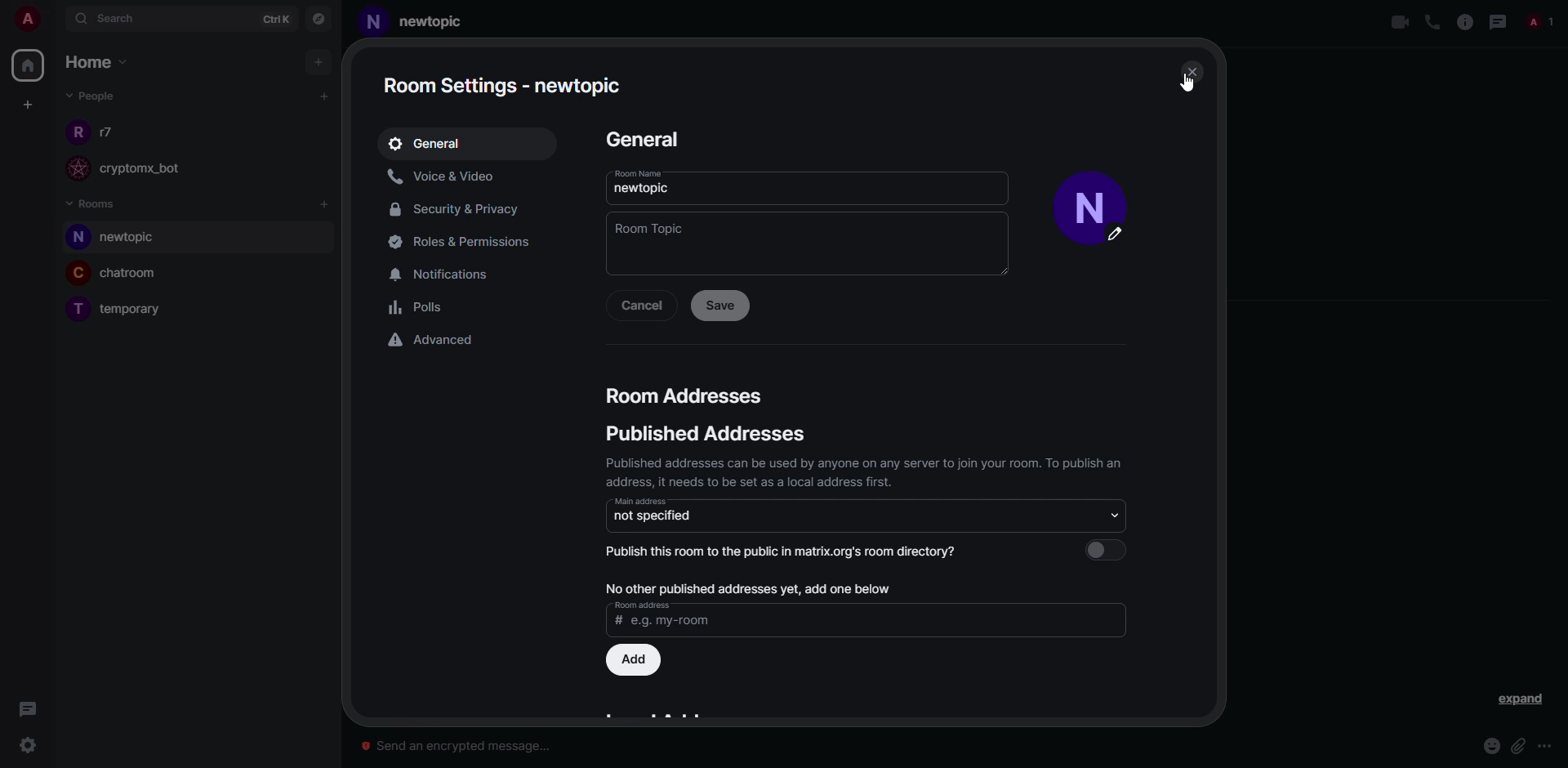 The height and width of the screenshot is (768, 1568). I want to click on threads, so click(28, 708).